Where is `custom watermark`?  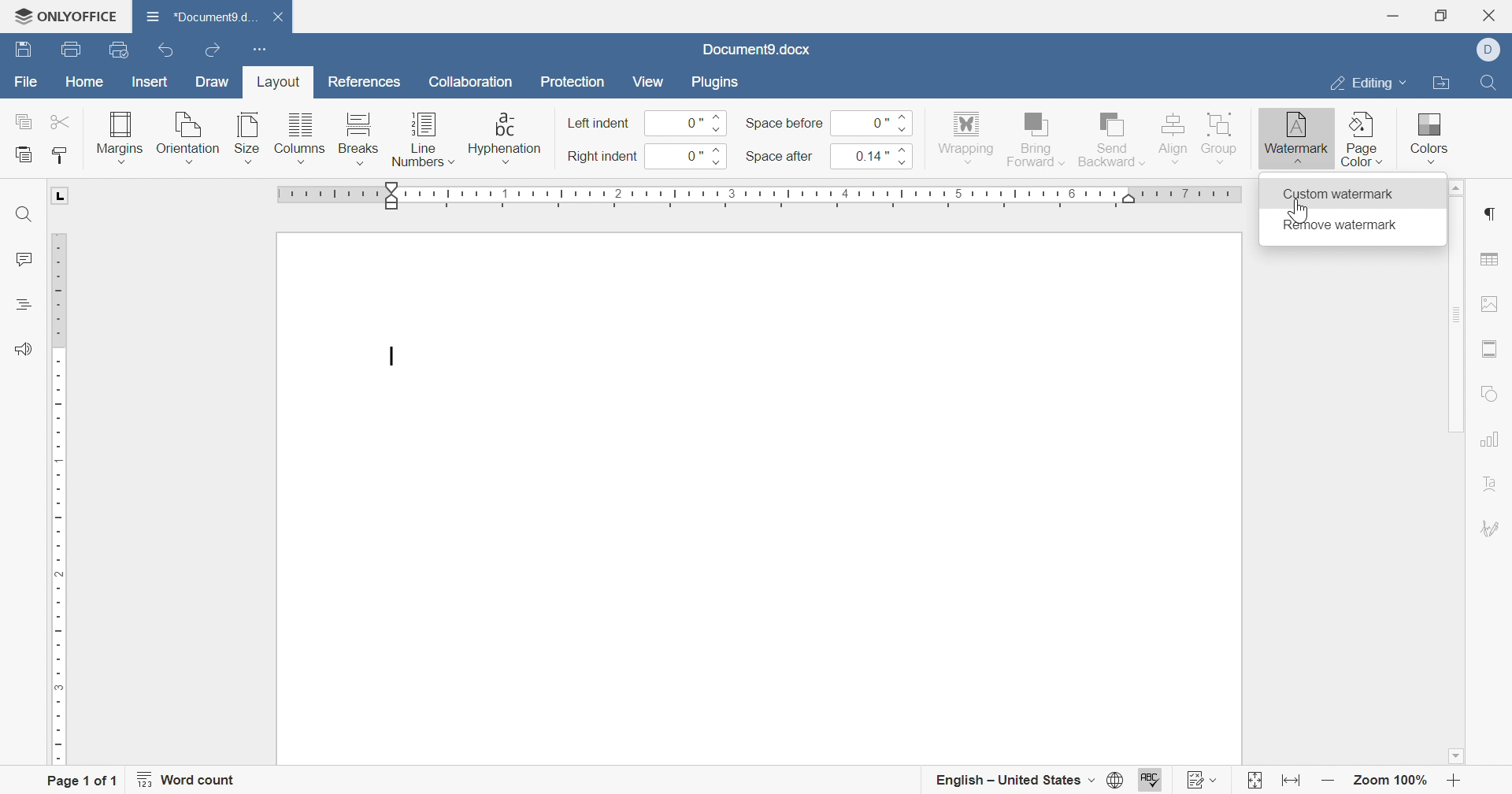 custom watermark is located at coordinates (1338, 192).